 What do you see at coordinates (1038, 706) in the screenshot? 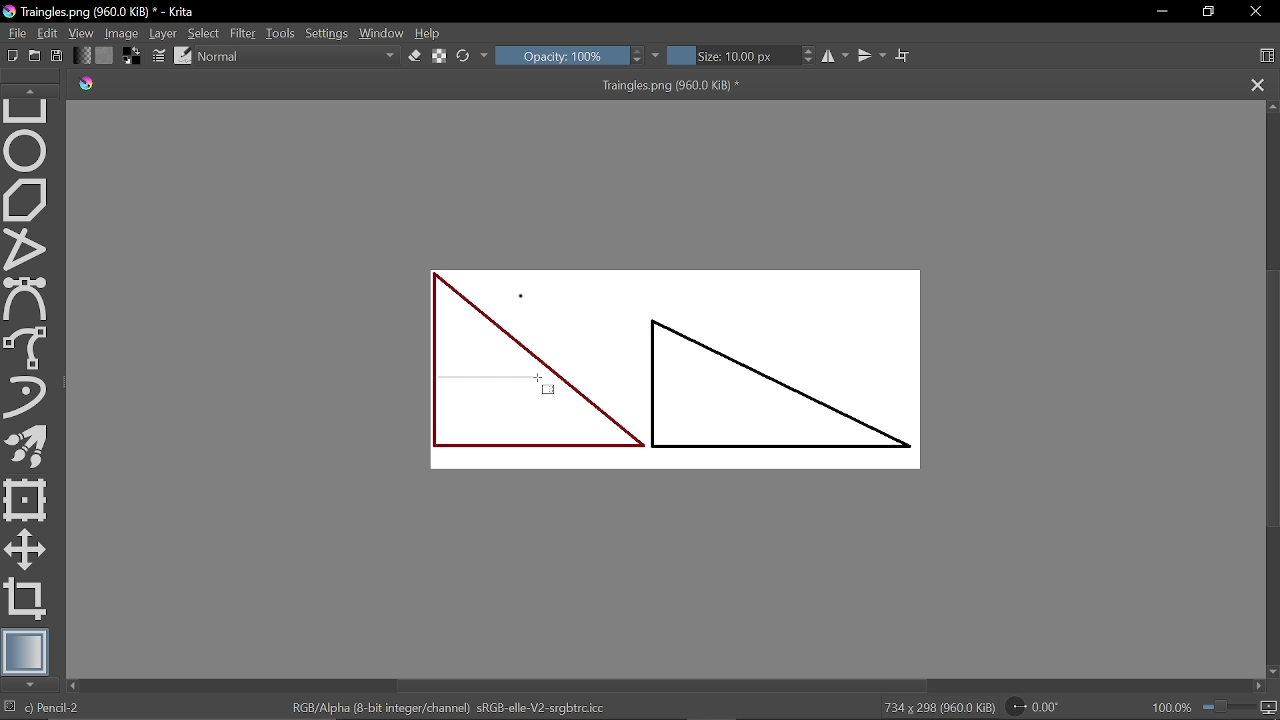
I see `Rotate` at bounding box center [1038, 706].